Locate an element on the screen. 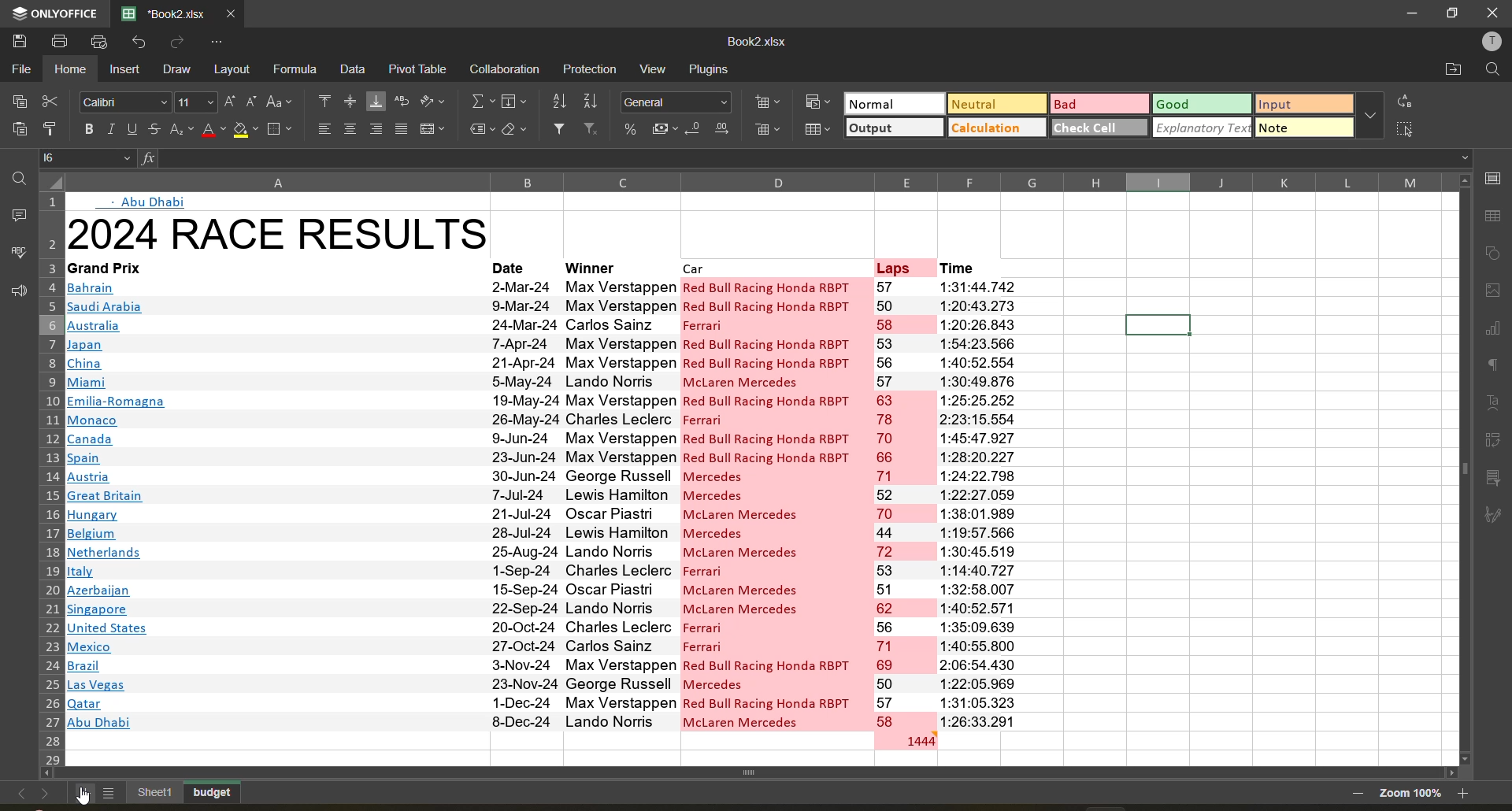  font size is located at coordinates (195, 102).